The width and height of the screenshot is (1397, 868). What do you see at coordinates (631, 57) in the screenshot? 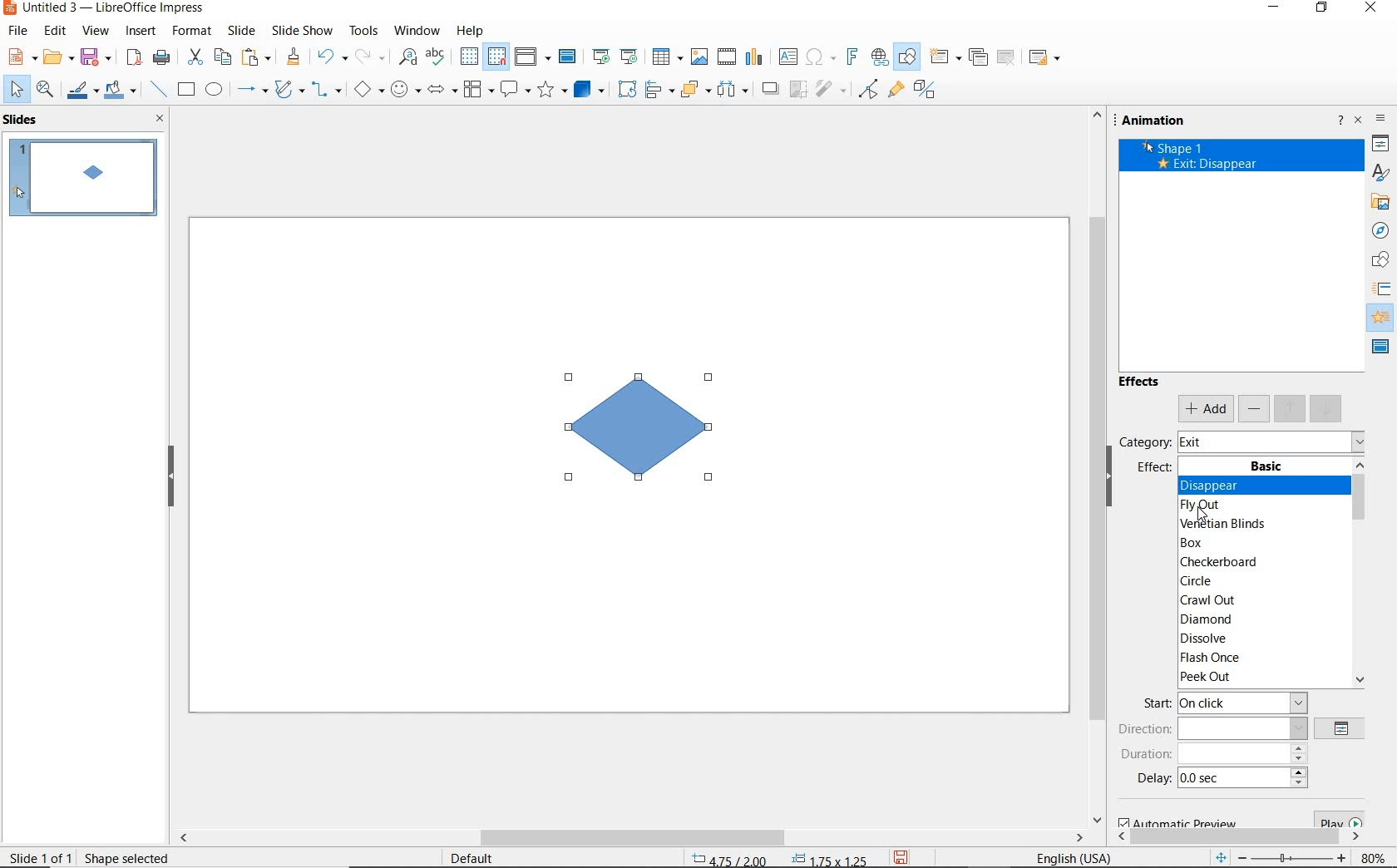
I see `start from current slide` at bounding box center [631, 57].